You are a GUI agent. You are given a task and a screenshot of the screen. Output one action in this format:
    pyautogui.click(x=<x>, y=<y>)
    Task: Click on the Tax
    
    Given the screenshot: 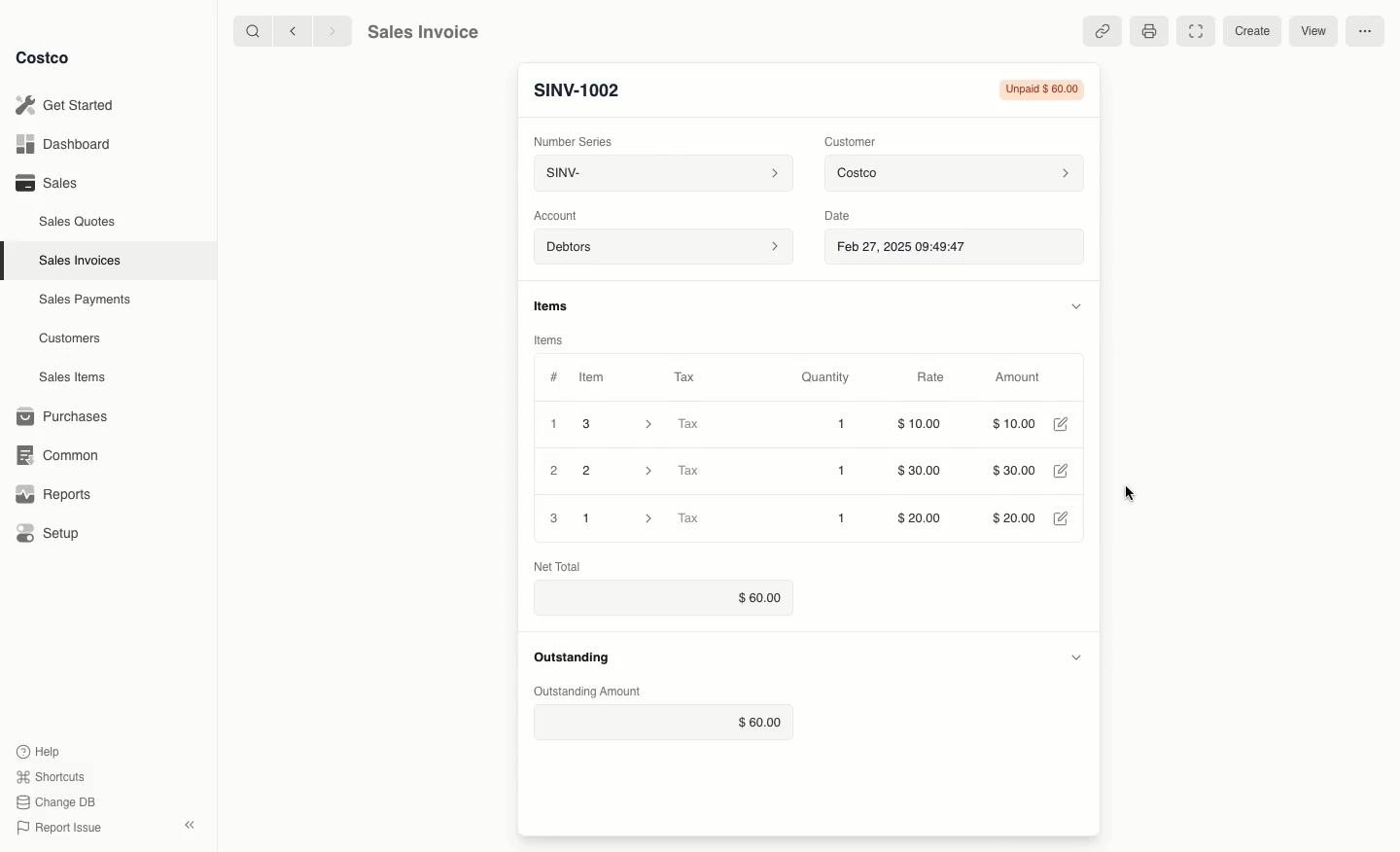 What is the action you would take?
    pyautogui.click(x=687, y=376)
    